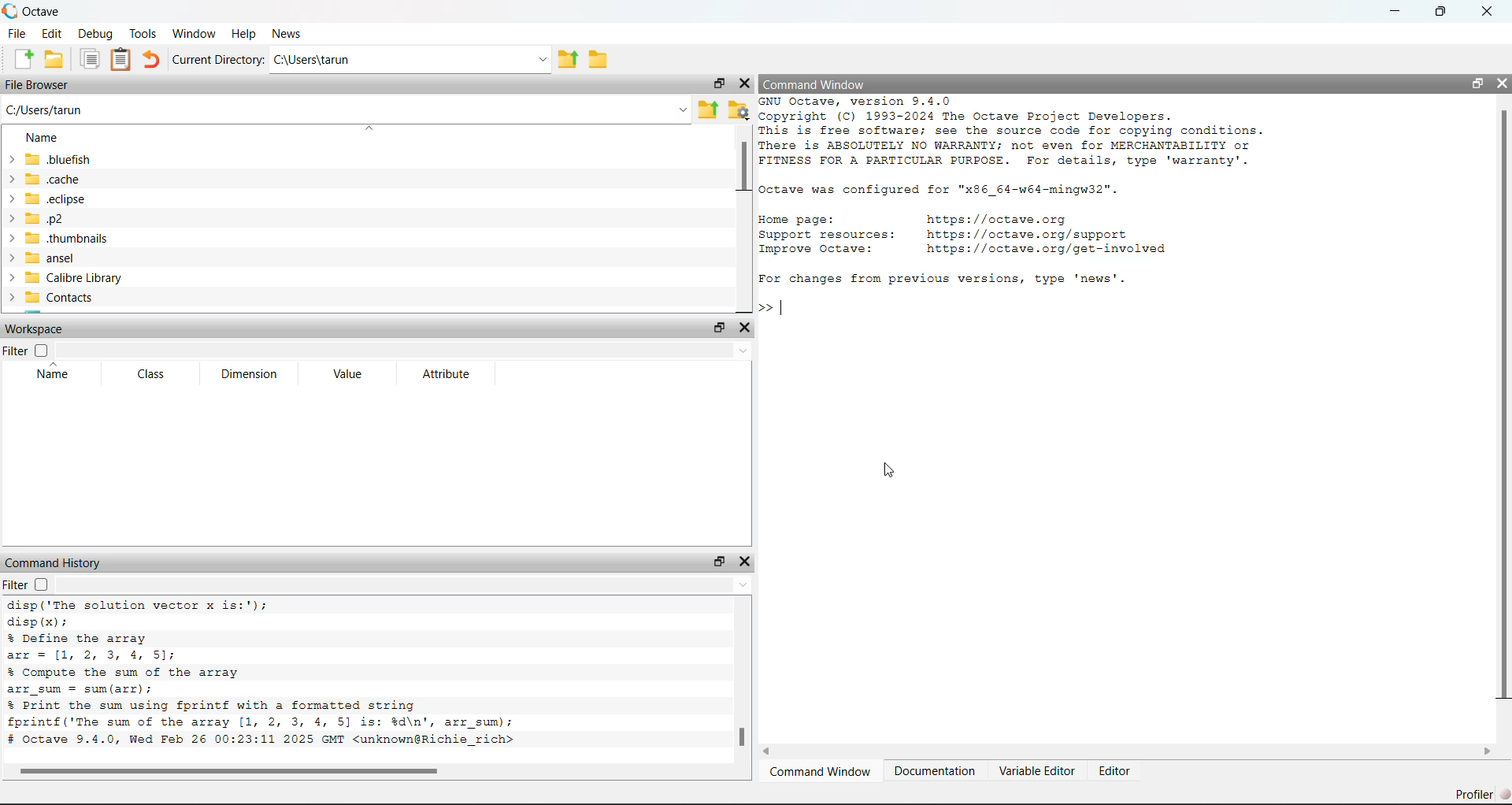 The width and height of the screenshot is (1512, 805). I want to click on thumbnails, so click(58, 239).